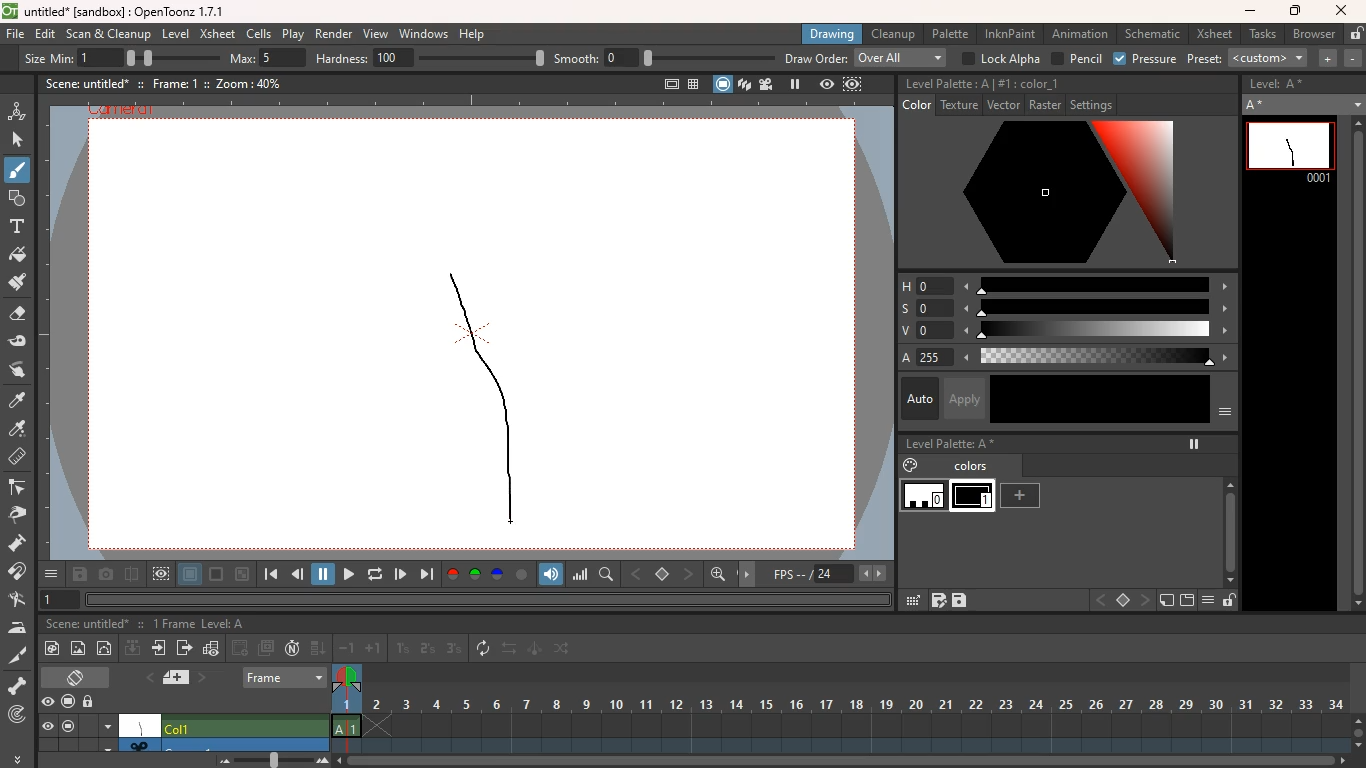 Image resolution: width=1366 pixels, height=768 pixels. I want to click on 0 Frames, so click(173, 624).